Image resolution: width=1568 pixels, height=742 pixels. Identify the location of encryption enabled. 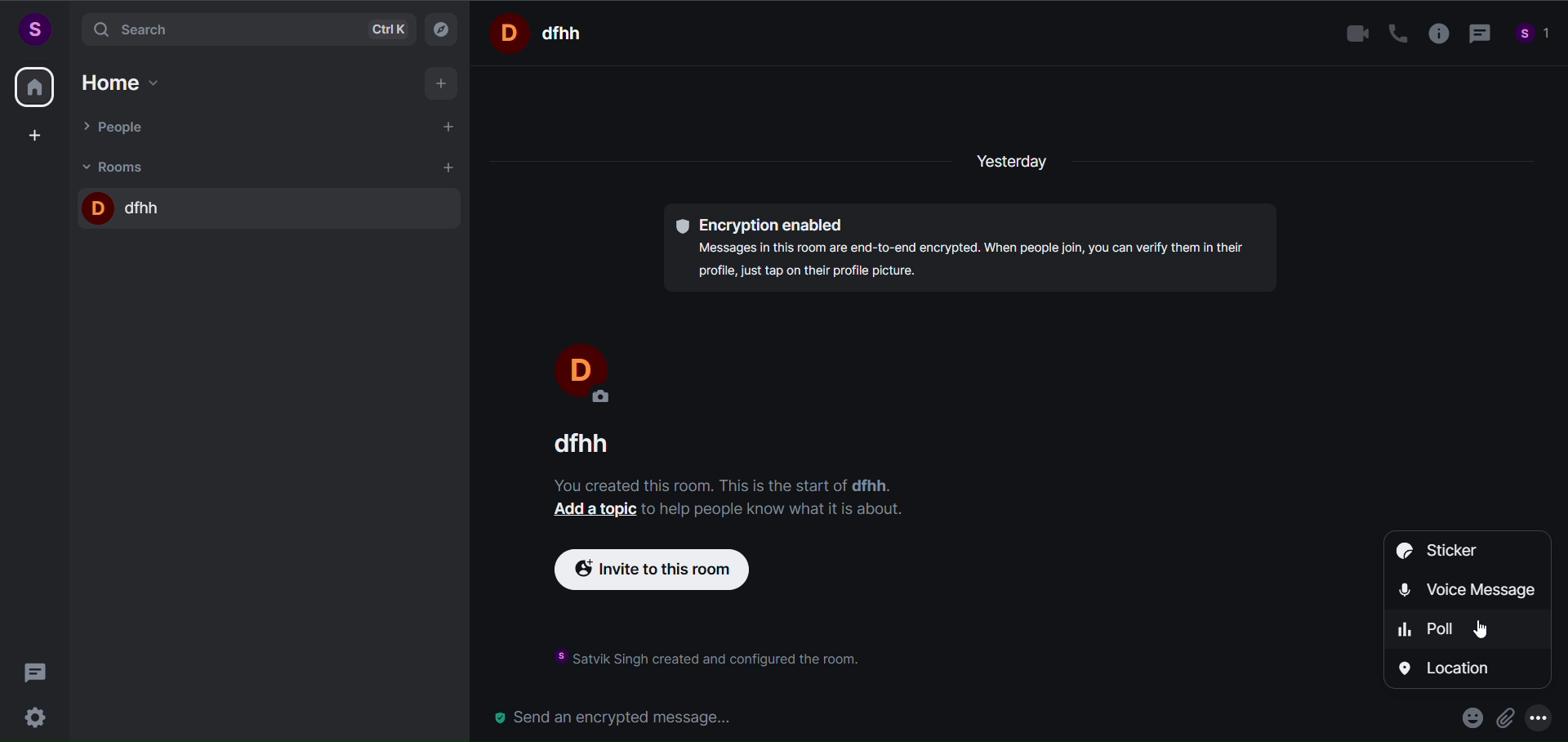
(875, 250).